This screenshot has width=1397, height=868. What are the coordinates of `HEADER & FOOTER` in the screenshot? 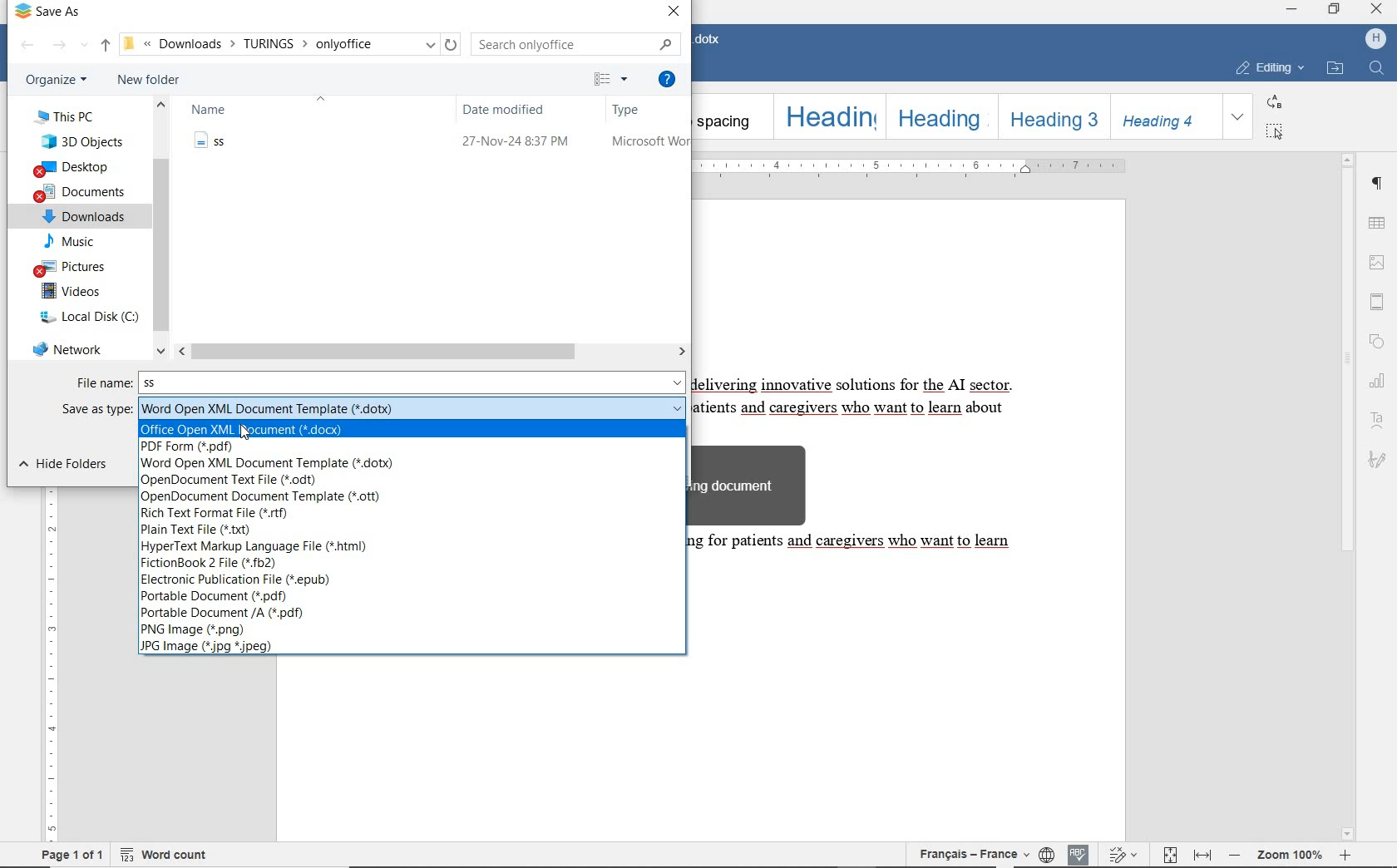 It's located at (1378, 303).